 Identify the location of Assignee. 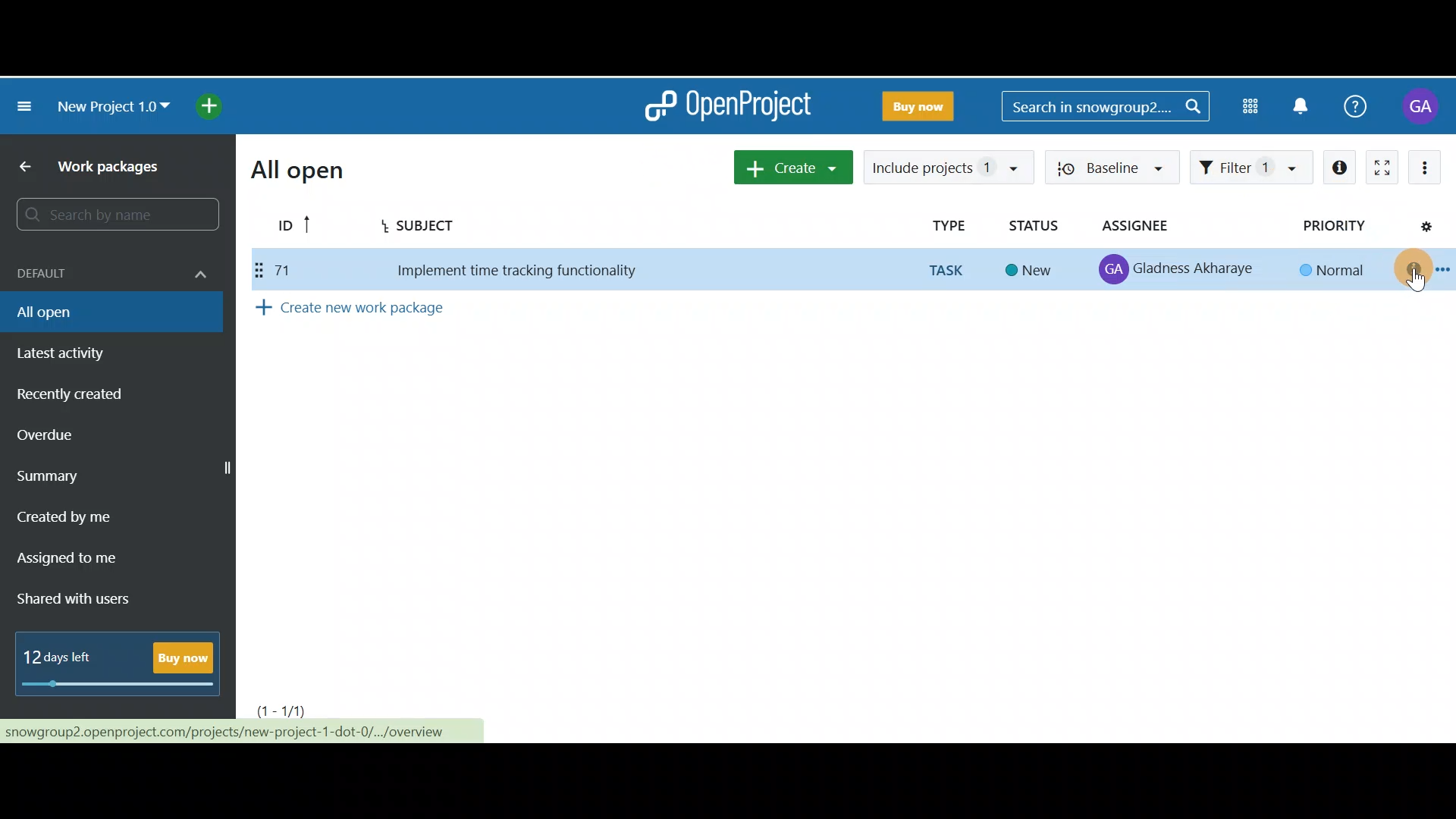
(1129, 227).